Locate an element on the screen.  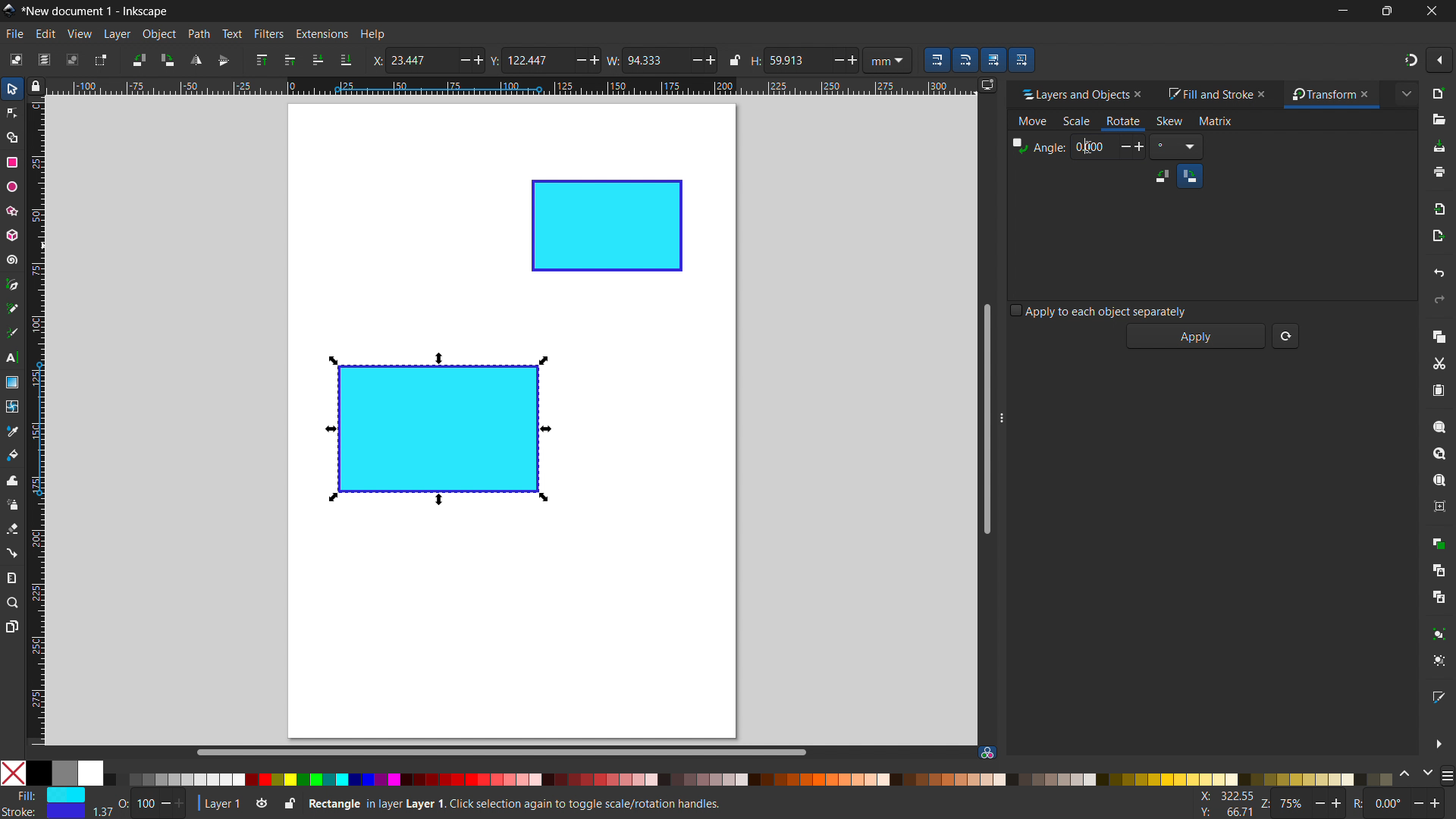
object is located at coordinates (159, 34).